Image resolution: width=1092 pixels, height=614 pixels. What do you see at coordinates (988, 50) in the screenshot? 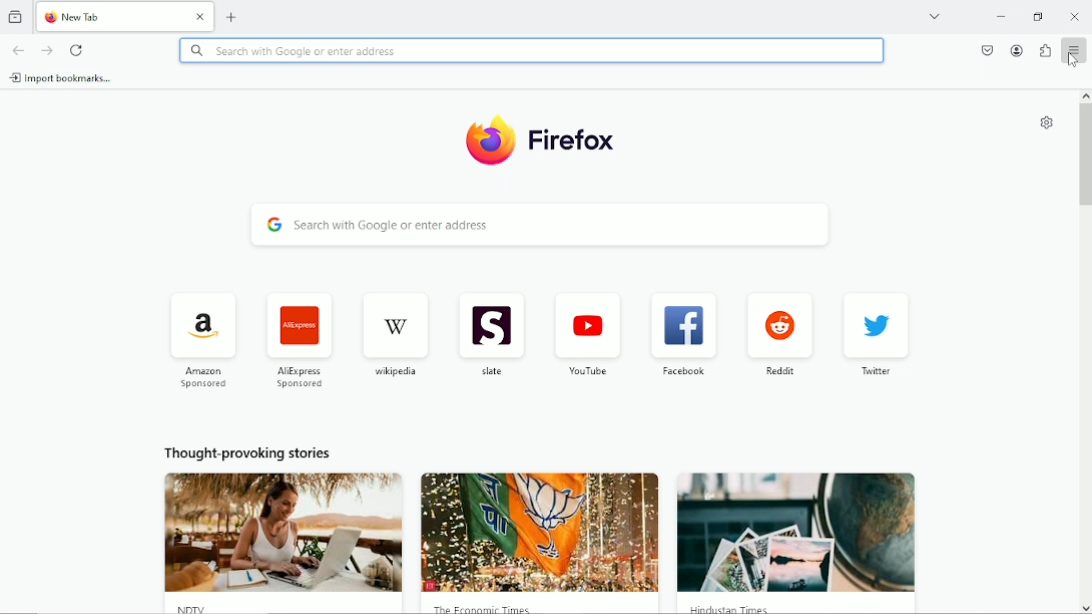
I see `save to pocket` at bounding box center [988, 50].